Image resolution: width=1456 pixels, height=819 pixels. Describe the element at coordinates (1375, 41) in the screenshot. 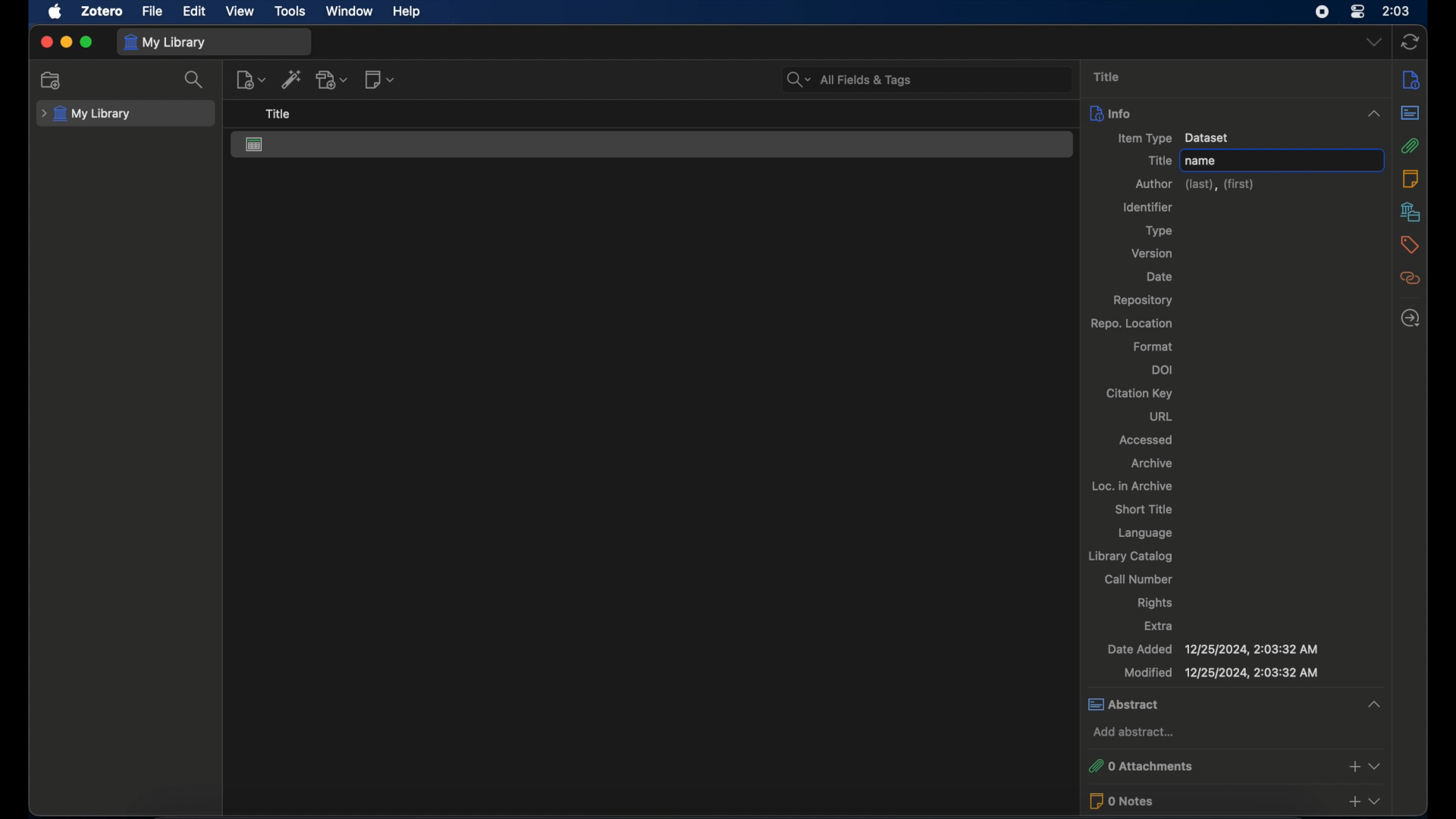

I see `dropdown` at that location.